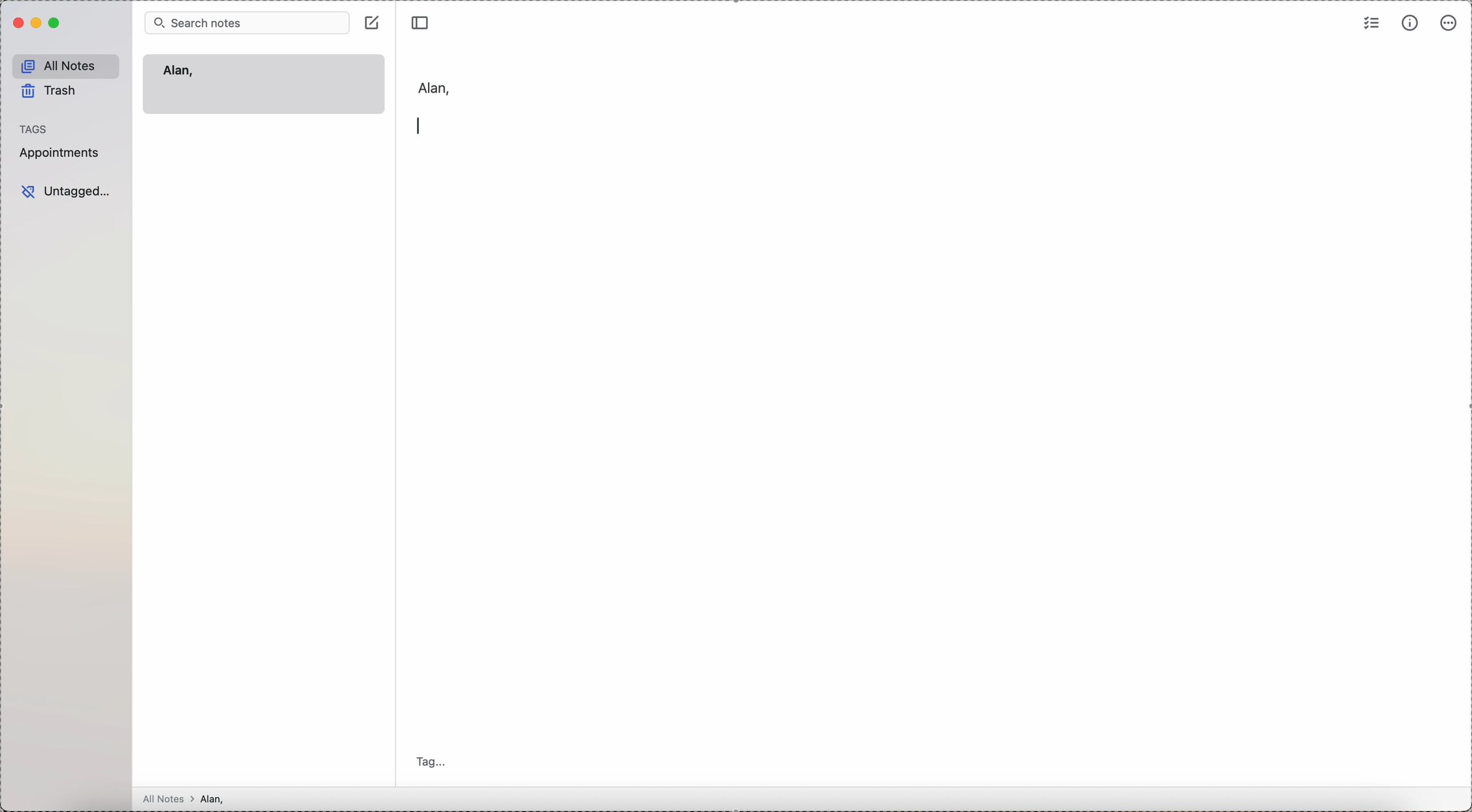 This screenshot has height=812, width=1472. I want to click on tags, so click(34, 129).